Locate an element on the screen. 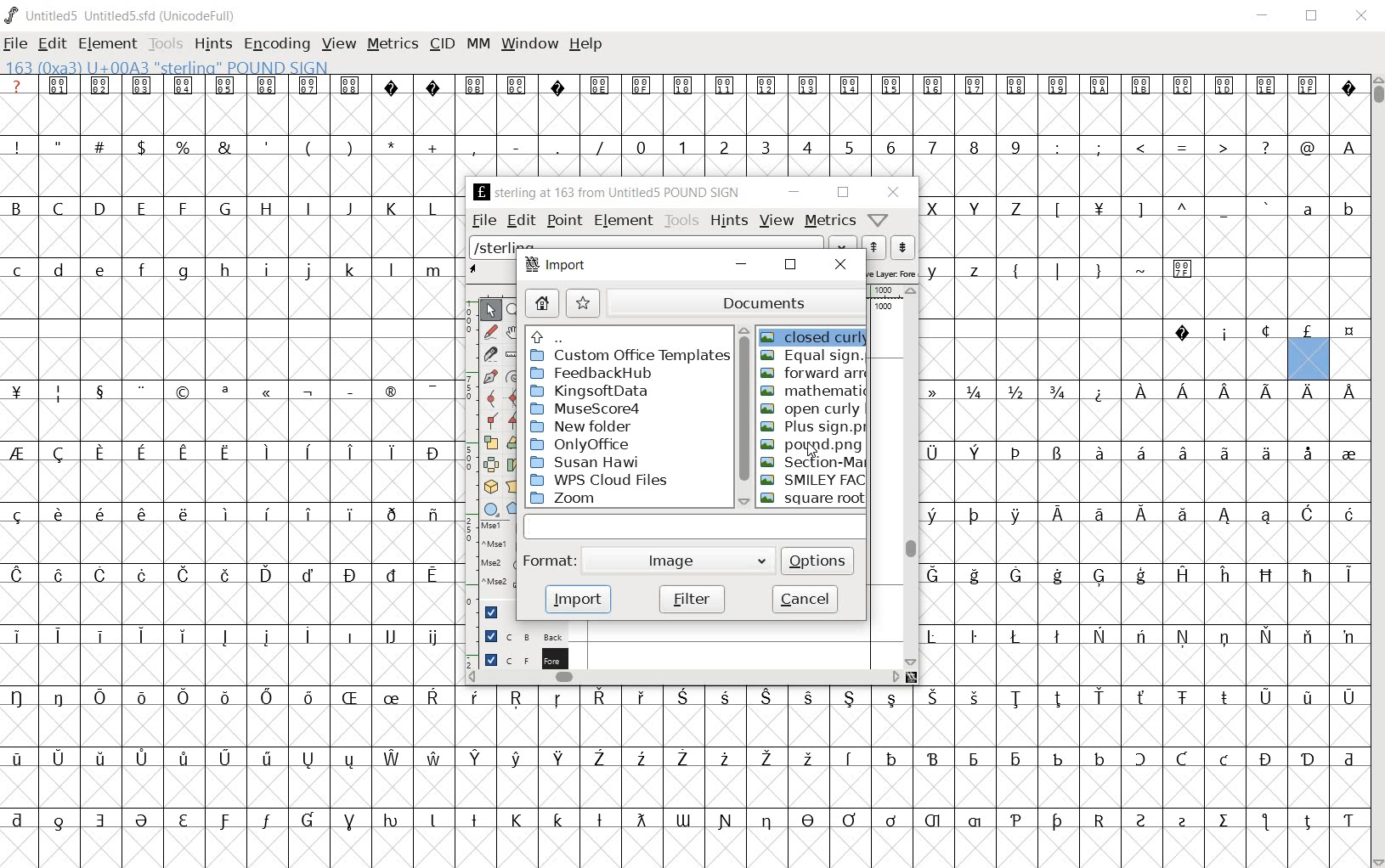  minimize is located at coordinates (793, 192).